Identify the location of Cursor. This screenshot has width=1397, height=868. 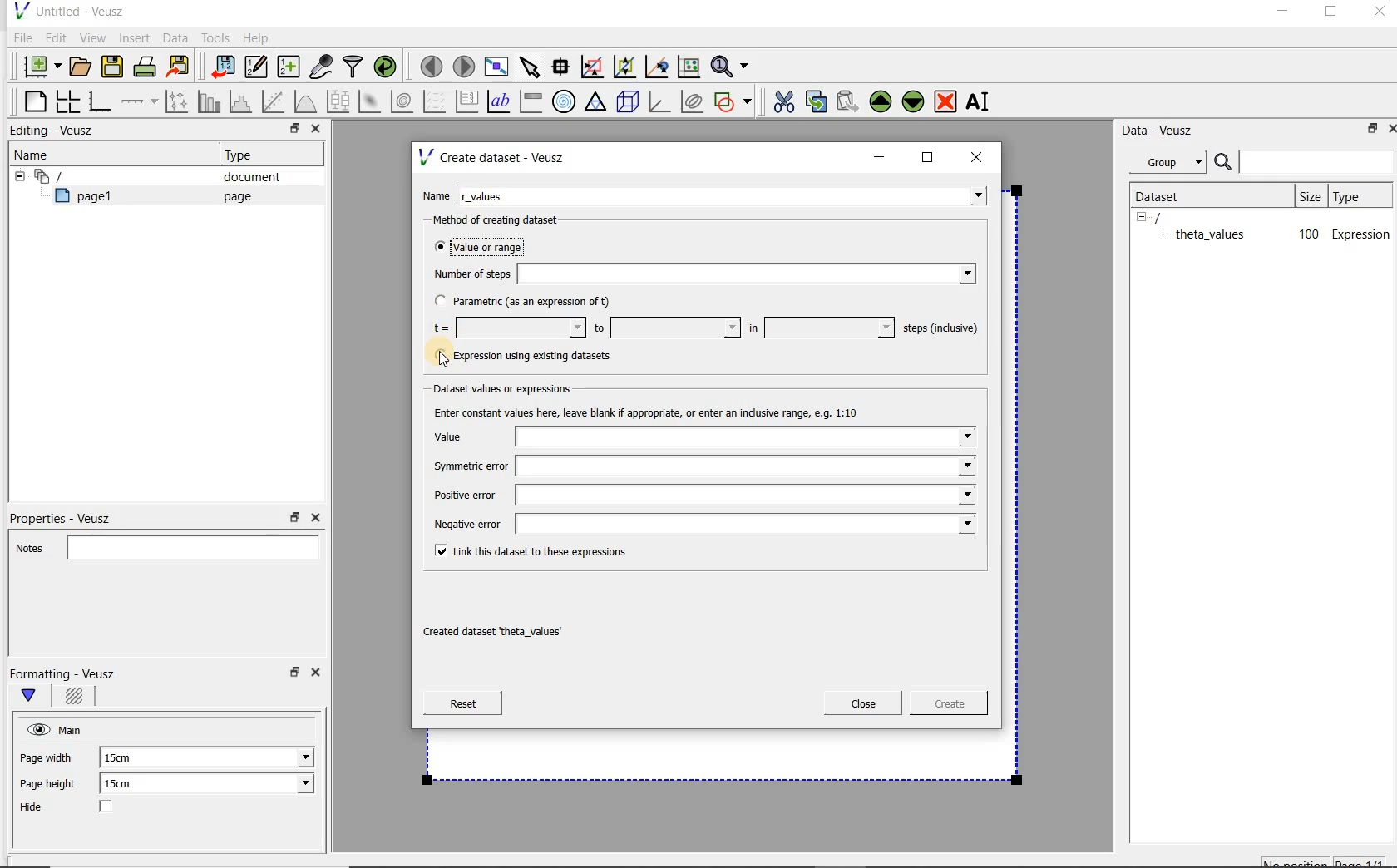
(442, 358).